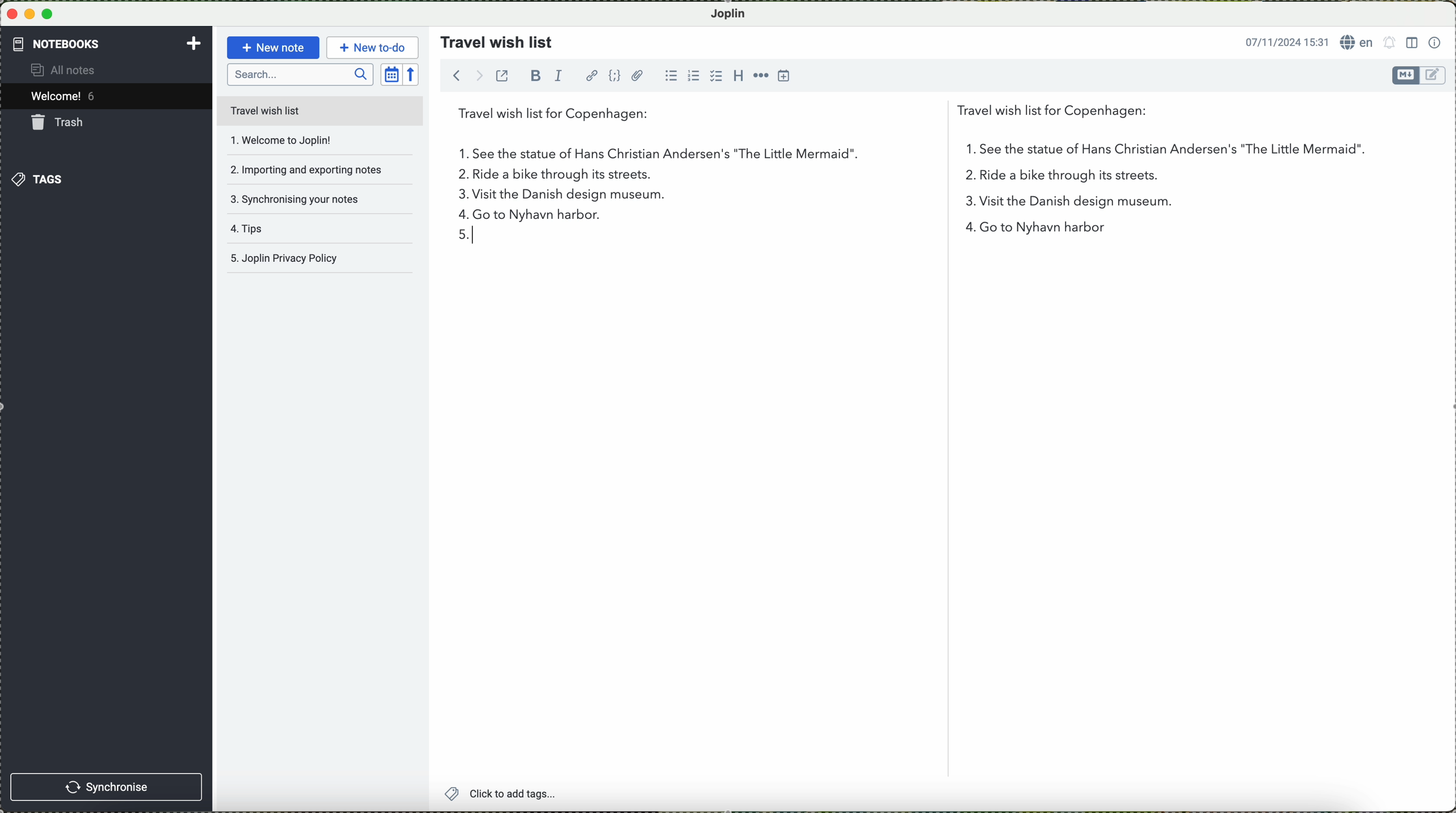 The width and height of the screenshot is (1456, 813). What do you see at coordinates (1357, 42) in the screenshot?
I see `language` at bounding box center [1357, 42].